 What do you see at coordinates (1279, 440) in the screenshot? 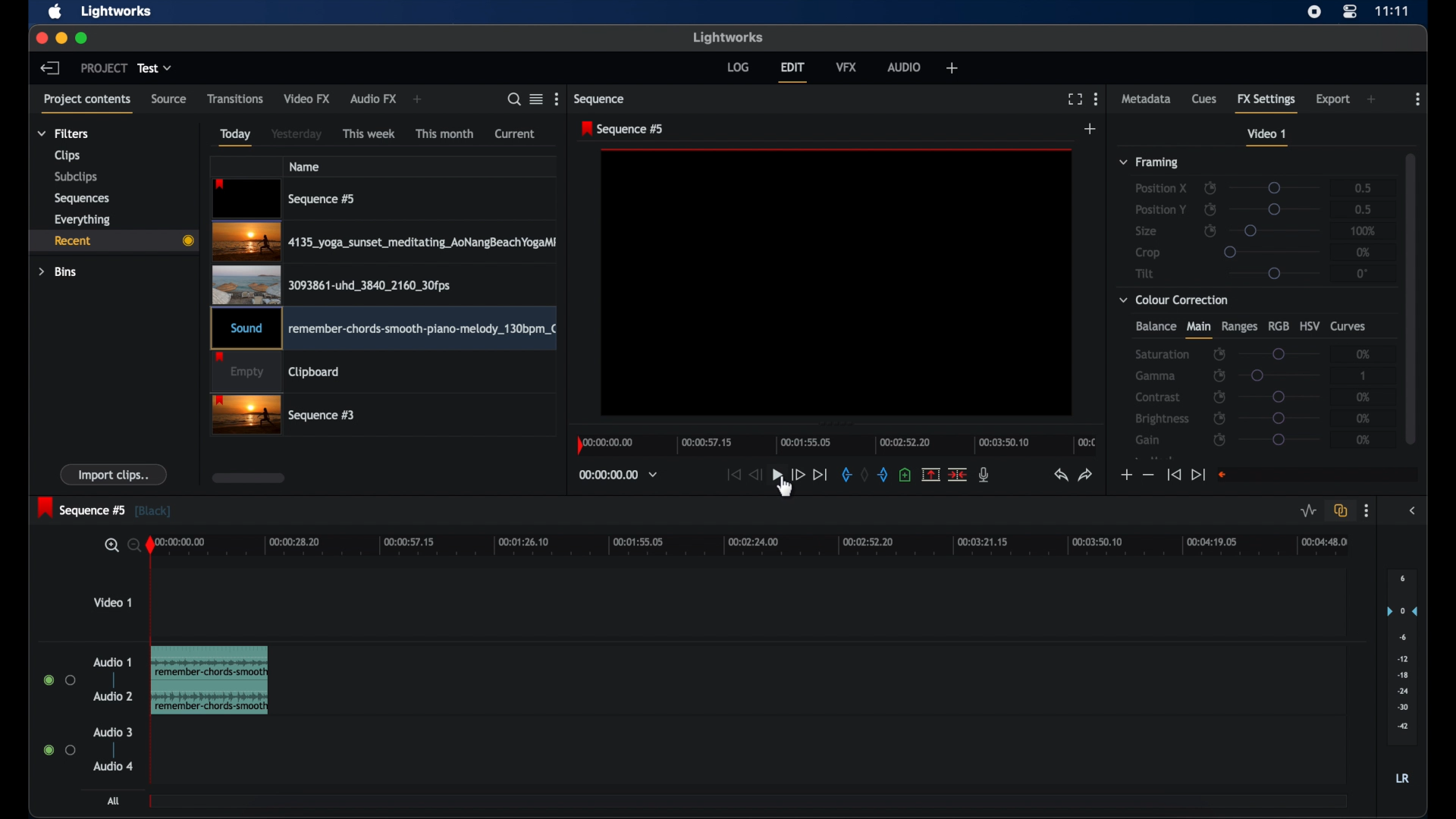
I see `slider` at bounding box center [1279, 440].